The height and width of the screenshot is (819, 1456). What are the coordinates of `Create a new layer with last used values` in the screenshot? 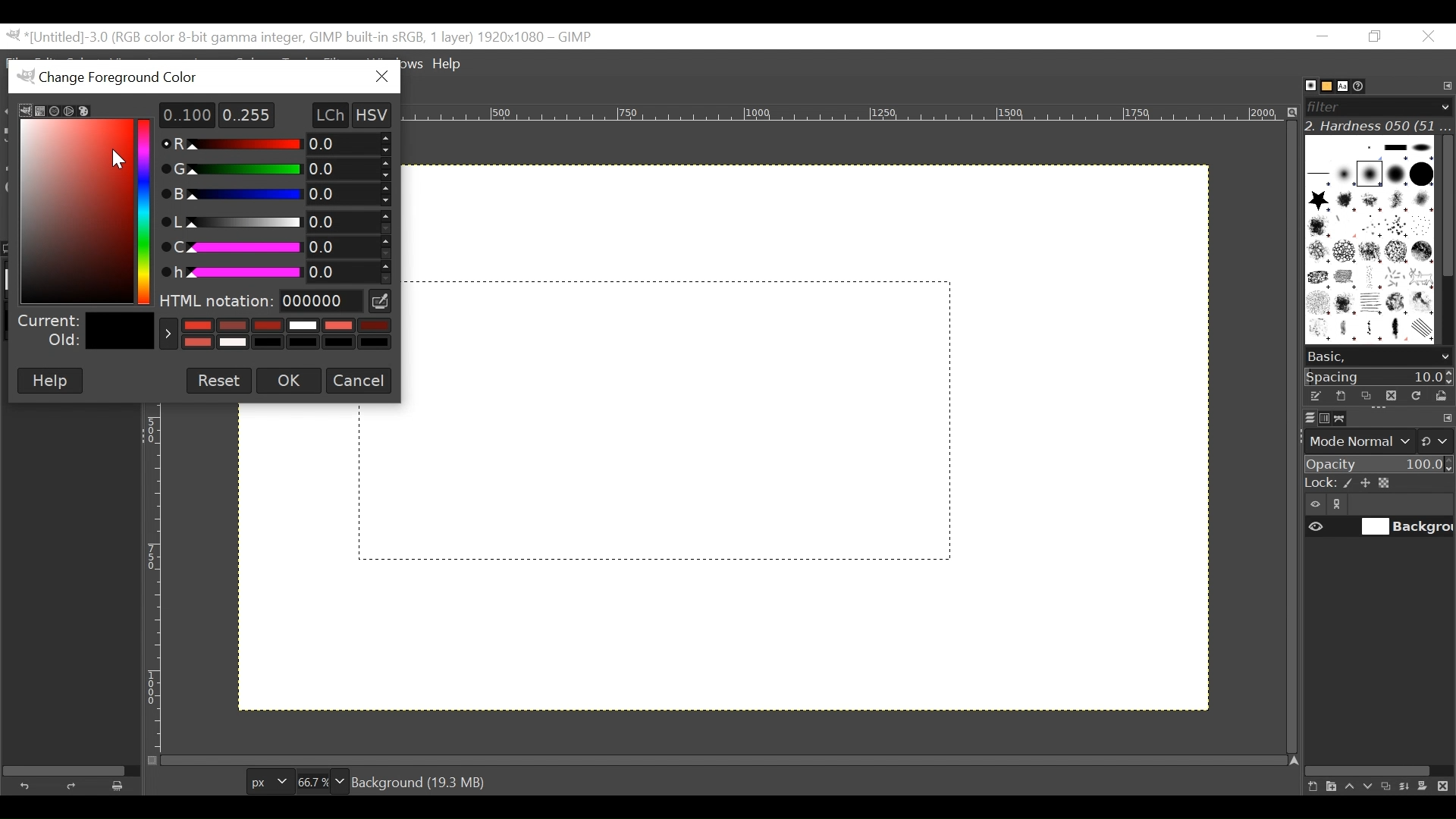 It's located at (1310, 787).